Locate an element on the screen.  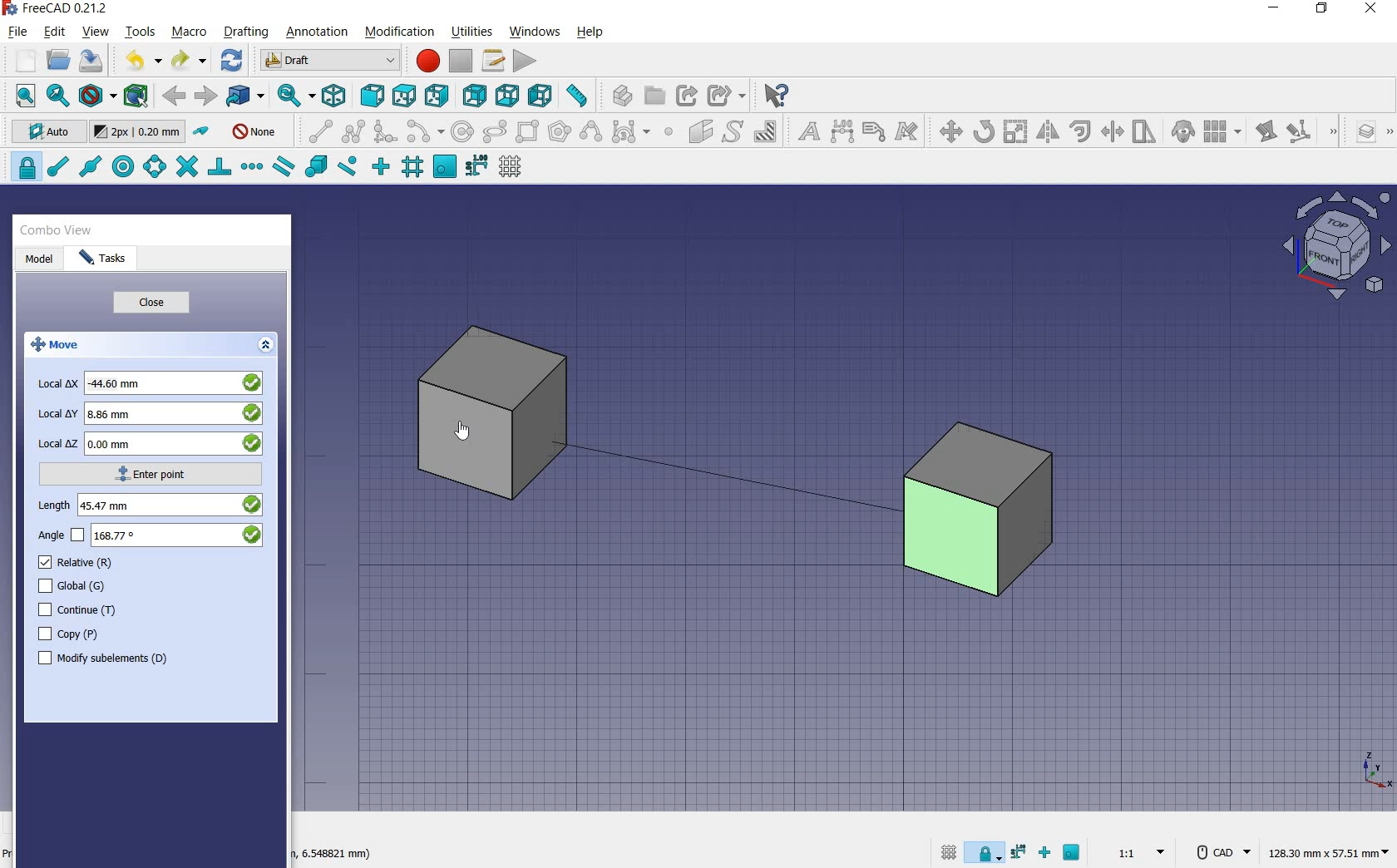
redo is located at coordinates (186, 61).